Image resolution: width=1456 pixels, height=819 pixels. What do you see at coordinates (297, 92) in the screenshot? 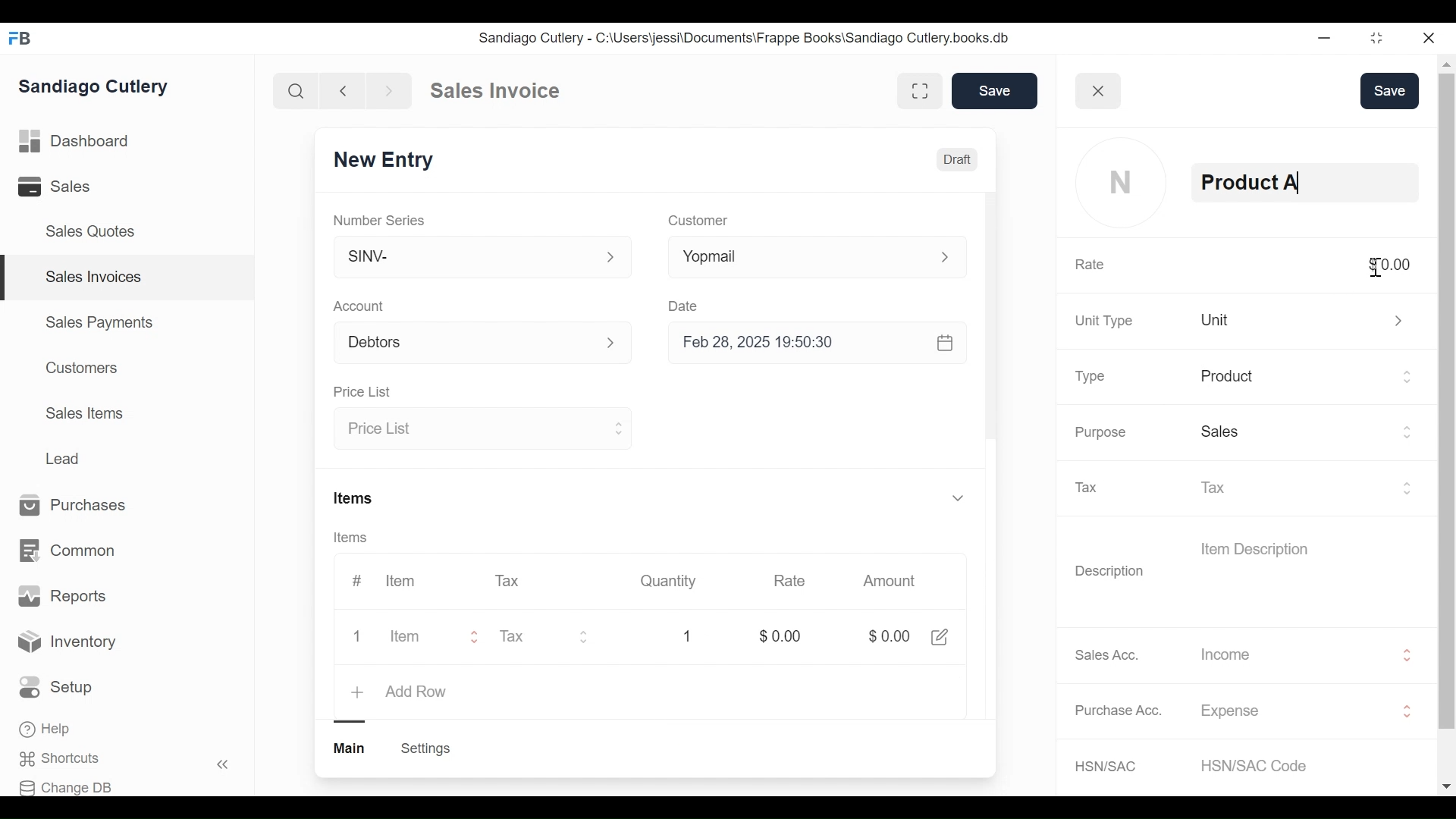
I see `search` at bounding box center [297, 92].